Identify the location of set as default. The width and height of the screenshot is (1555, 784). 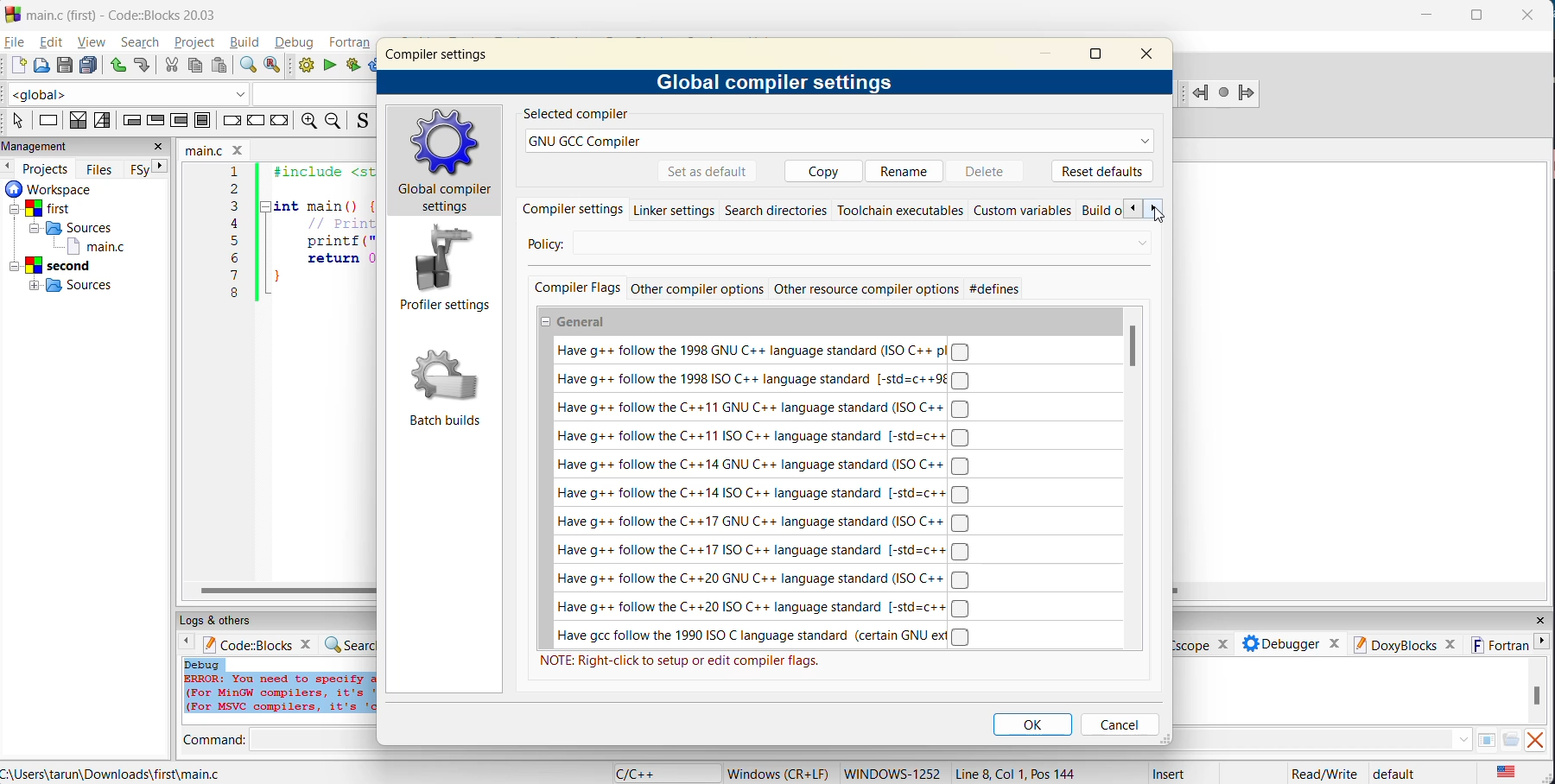
(708, 172).